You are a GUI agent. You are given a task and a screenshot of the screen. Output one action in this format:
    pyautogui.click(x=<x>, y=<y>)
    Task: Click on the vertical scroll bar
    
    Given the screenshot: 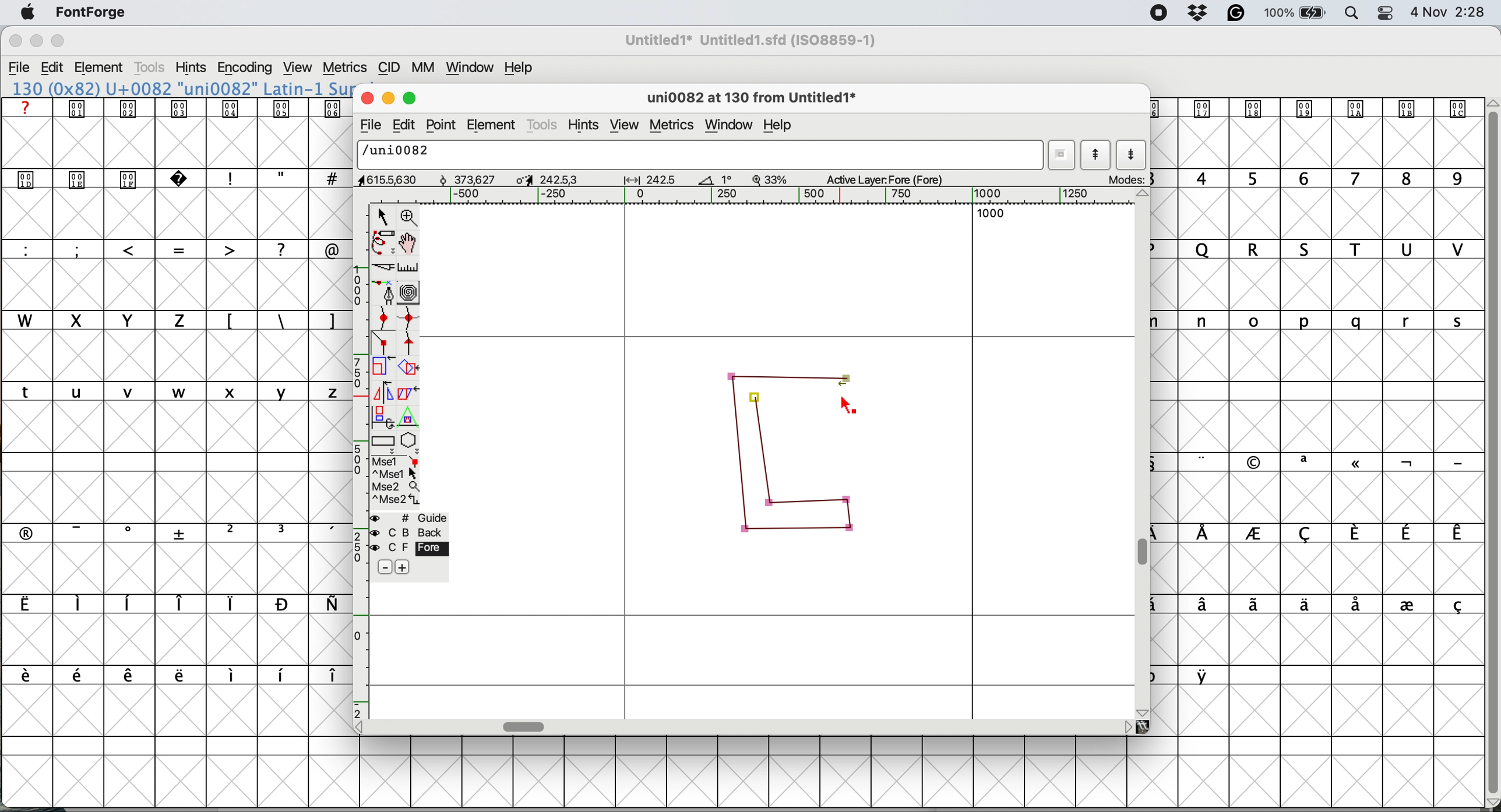 What is the action you would take?
    pyautogui.click(x=1491, y=448)
    